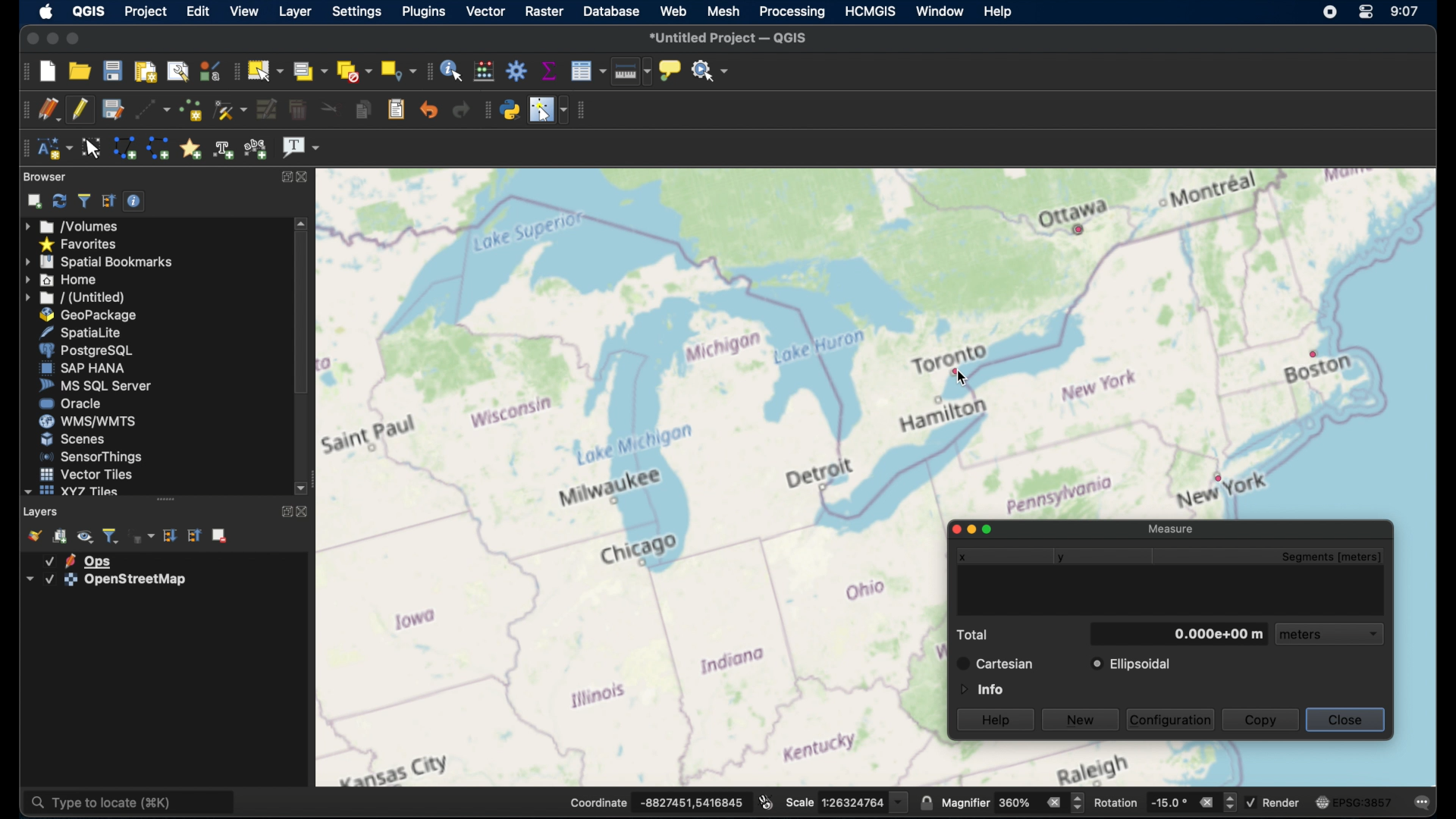 The width and height of the screenshot is (1456, 819). I want to click on spatial bookmarks, so click(99, 261).